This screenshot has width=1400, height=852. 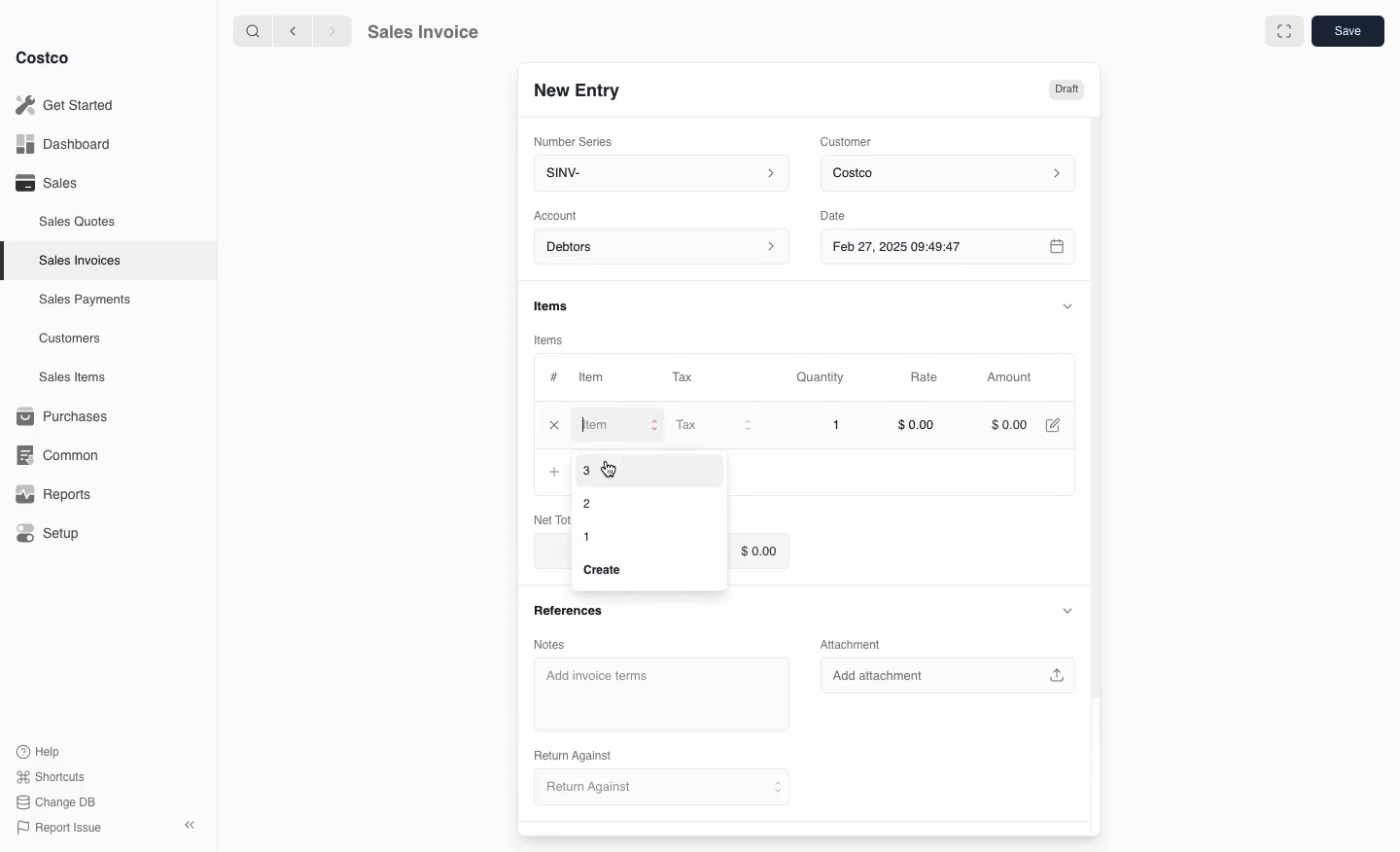 What do you see at coordinates (575, 140) in the screenshot?
I see `Number Series` at bounding box center [575, 140].